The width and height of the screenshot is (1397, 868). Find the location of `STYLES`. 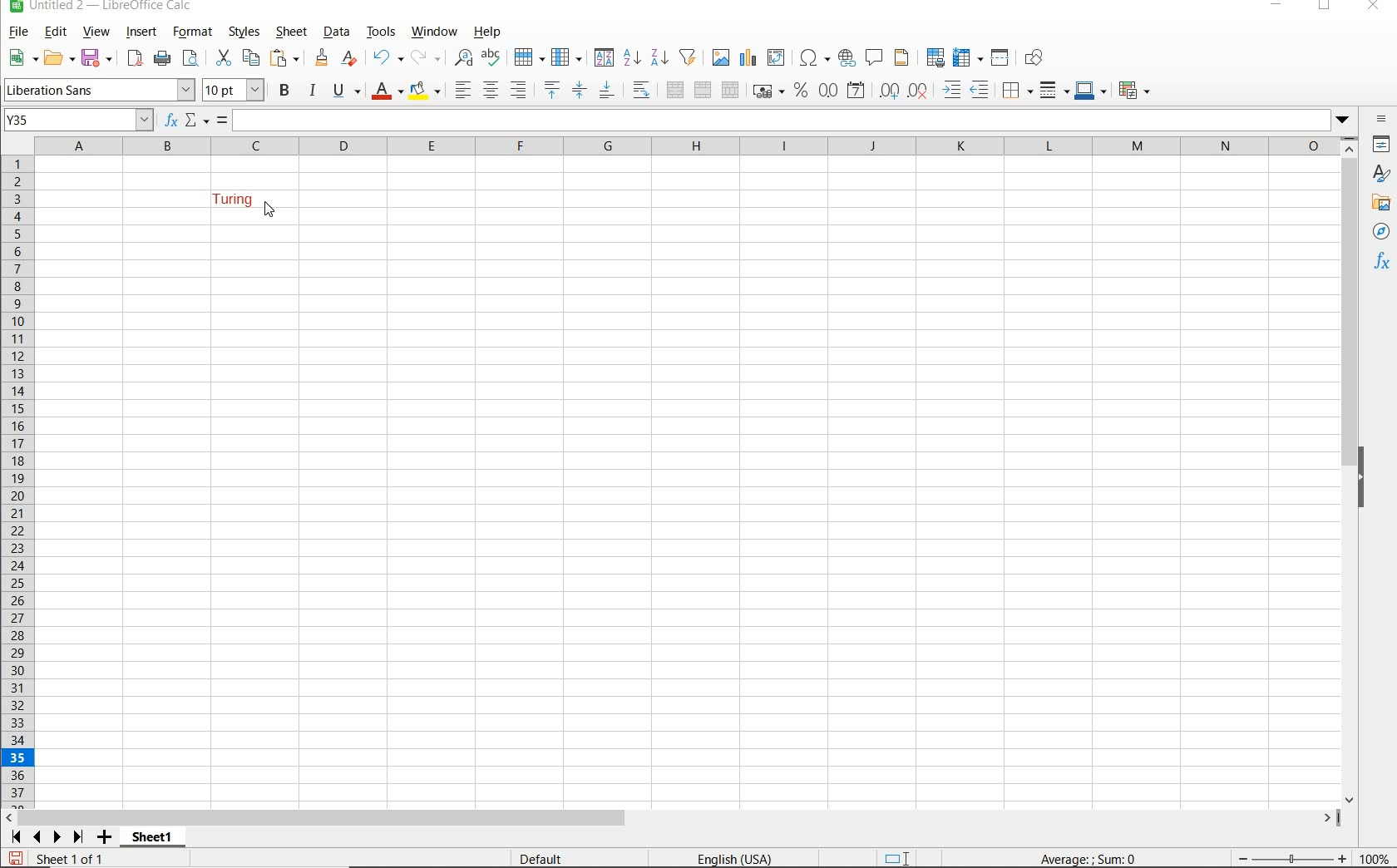

STYLES is located at coordinates (1383, 175).